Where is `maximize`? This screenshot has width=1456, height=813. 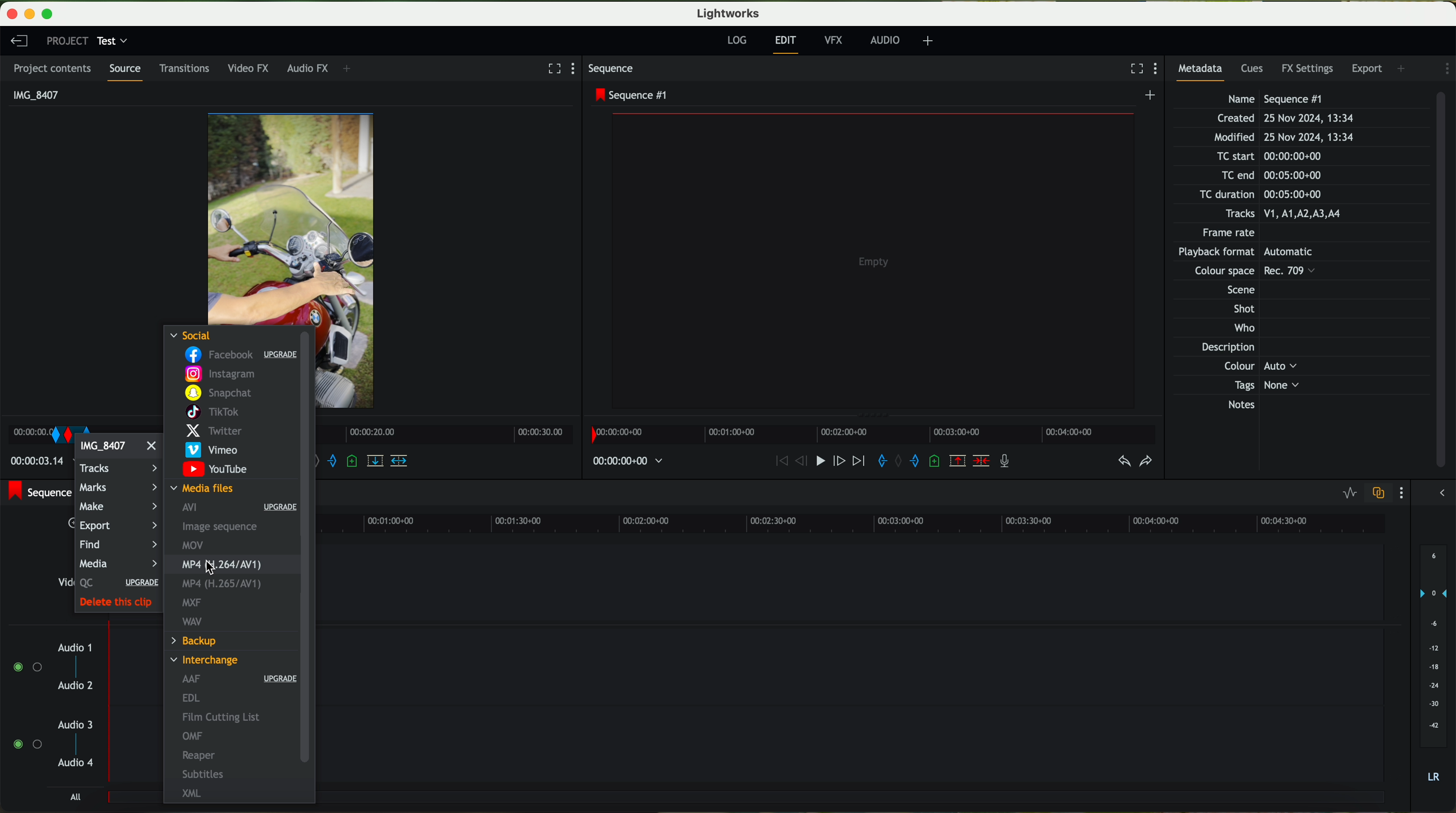 maximize is located at coordinates (54, 12).